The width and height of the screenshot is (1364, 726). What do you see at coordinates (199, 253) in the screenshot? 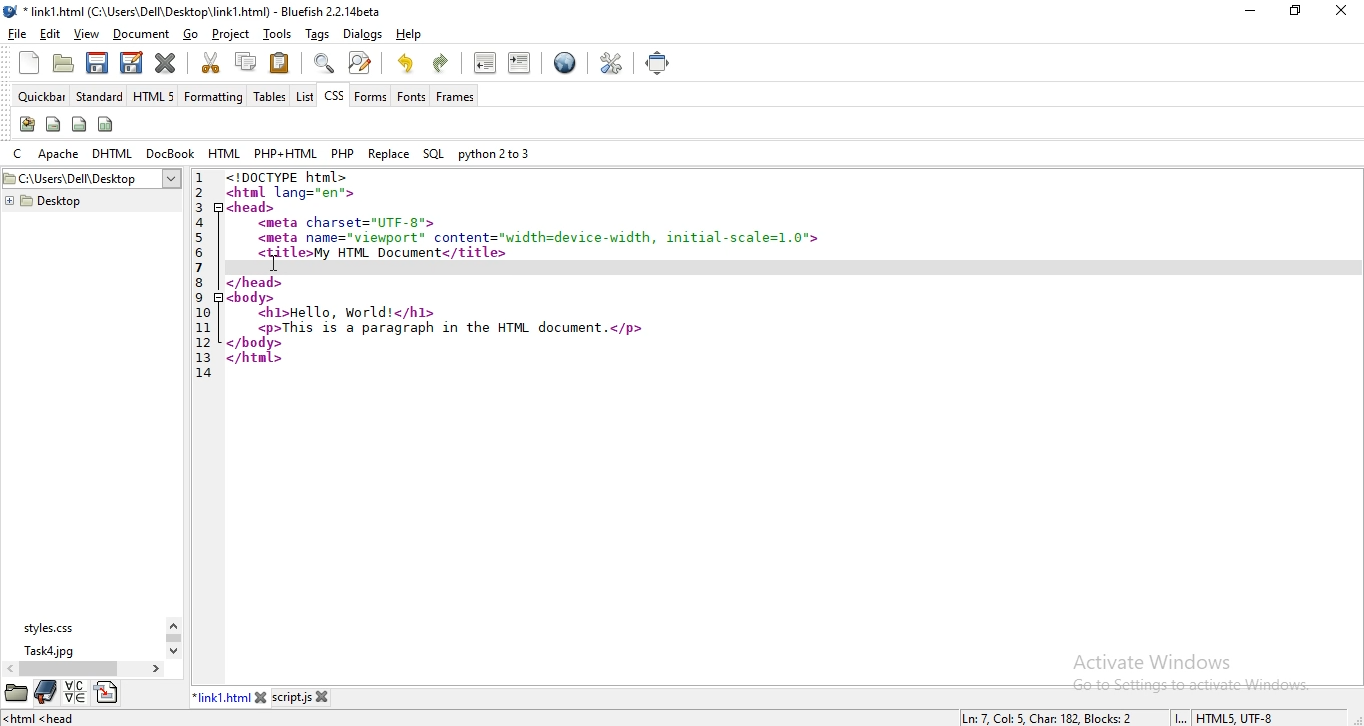
I see `6` at bounding box center [199, 253].